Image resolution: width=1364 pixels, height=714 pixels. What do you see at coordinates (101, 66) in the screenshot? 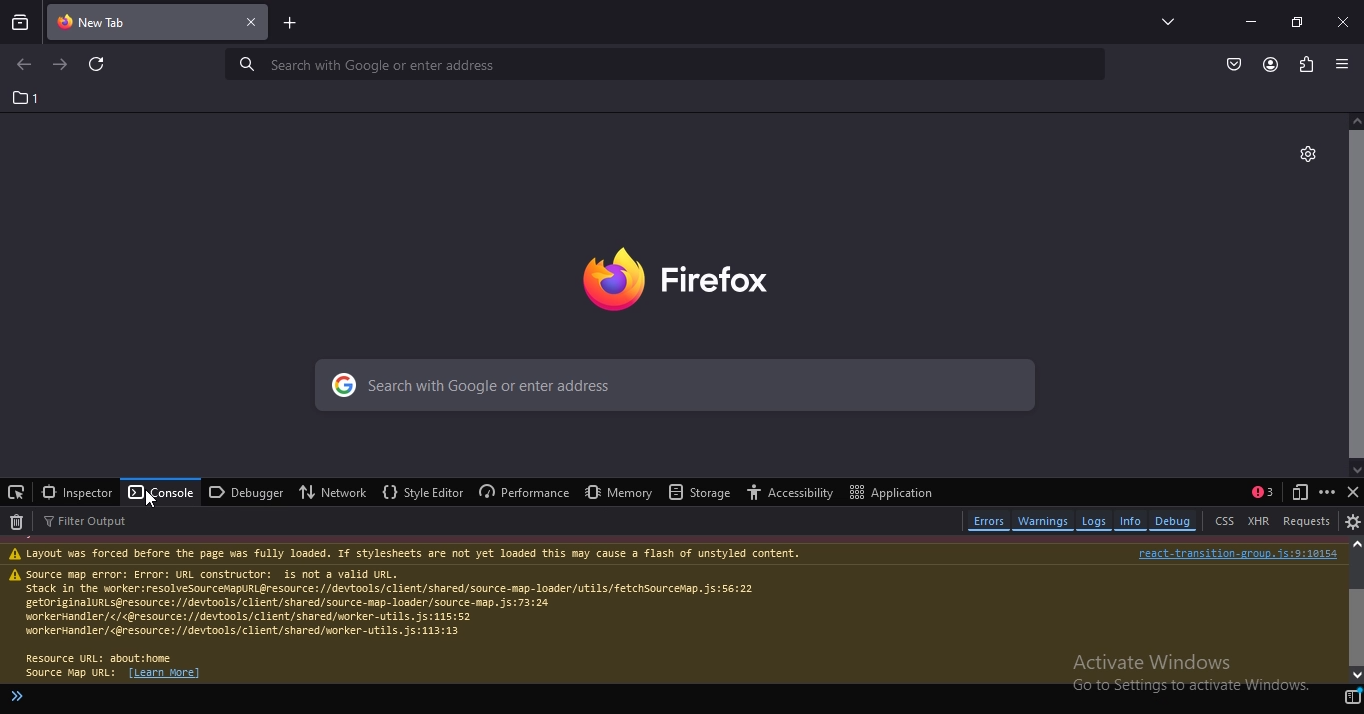
I see `reload this page` at bounding box center [101, 66].